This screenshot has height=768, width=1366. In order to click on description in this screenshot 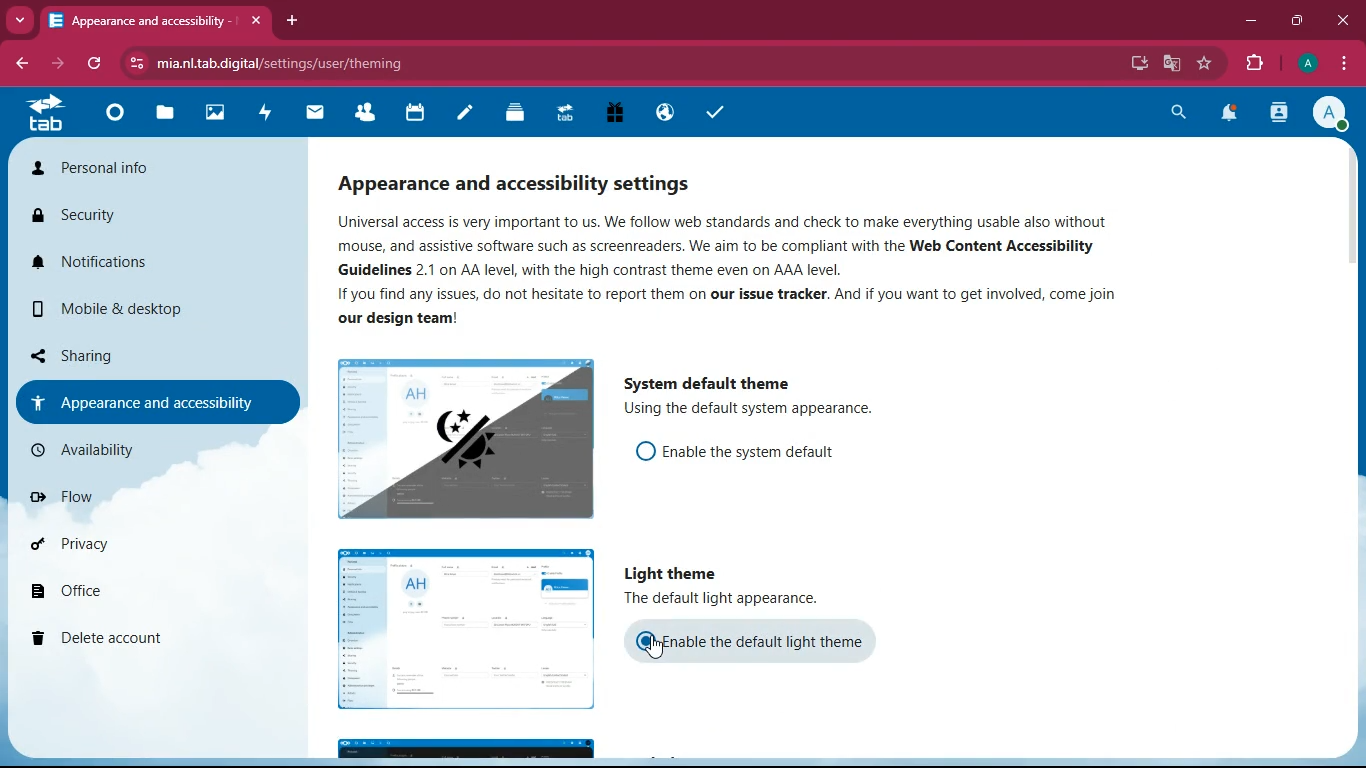, I will do `click(756, 272)`.